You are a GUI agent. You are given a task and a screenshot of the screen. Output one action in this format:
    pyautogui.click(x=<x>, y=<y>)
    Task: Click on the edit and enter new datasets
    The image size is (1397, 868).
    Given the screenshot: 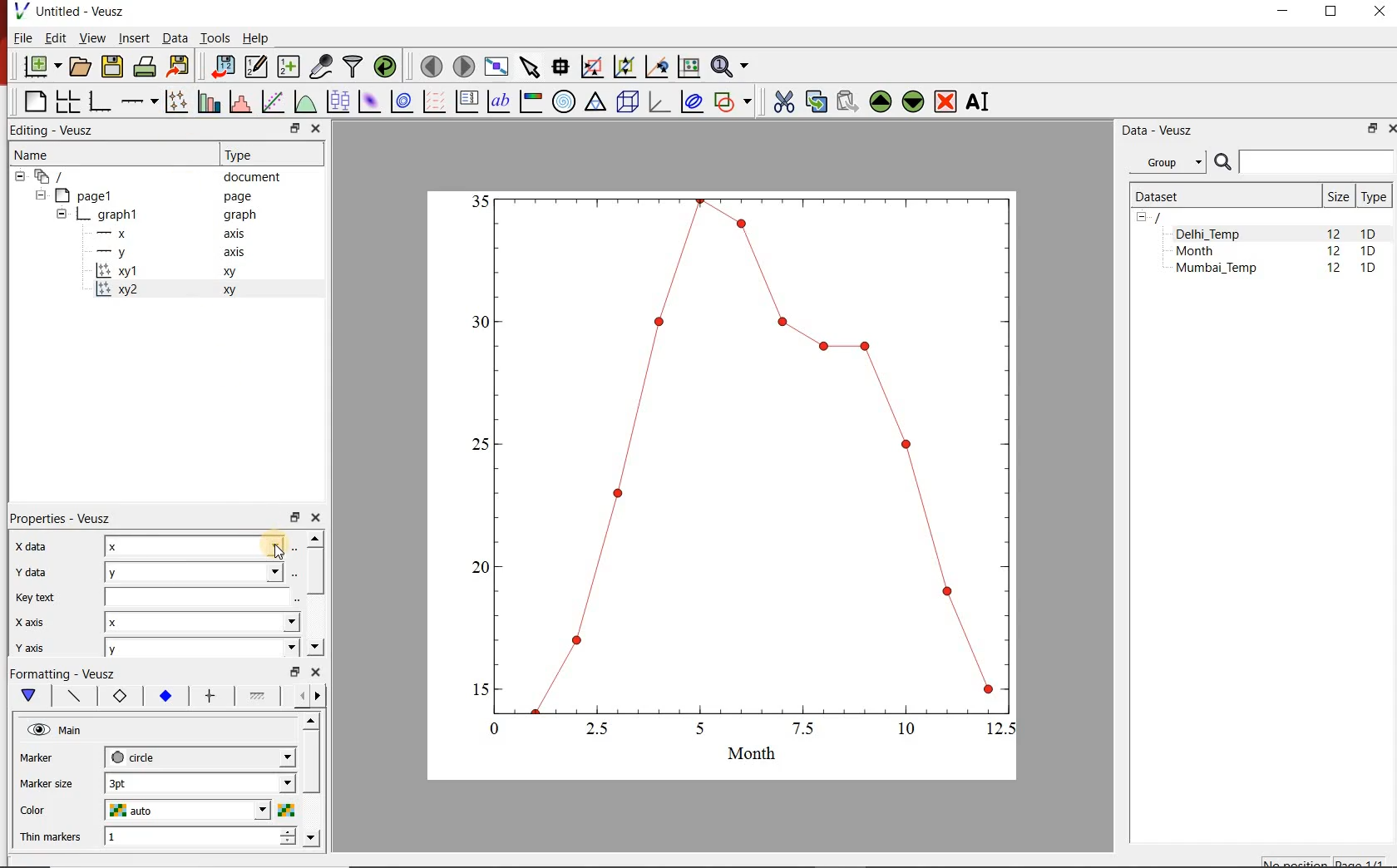 What is the action you would take?
    pyautogui.click(x=255, y=67)
    